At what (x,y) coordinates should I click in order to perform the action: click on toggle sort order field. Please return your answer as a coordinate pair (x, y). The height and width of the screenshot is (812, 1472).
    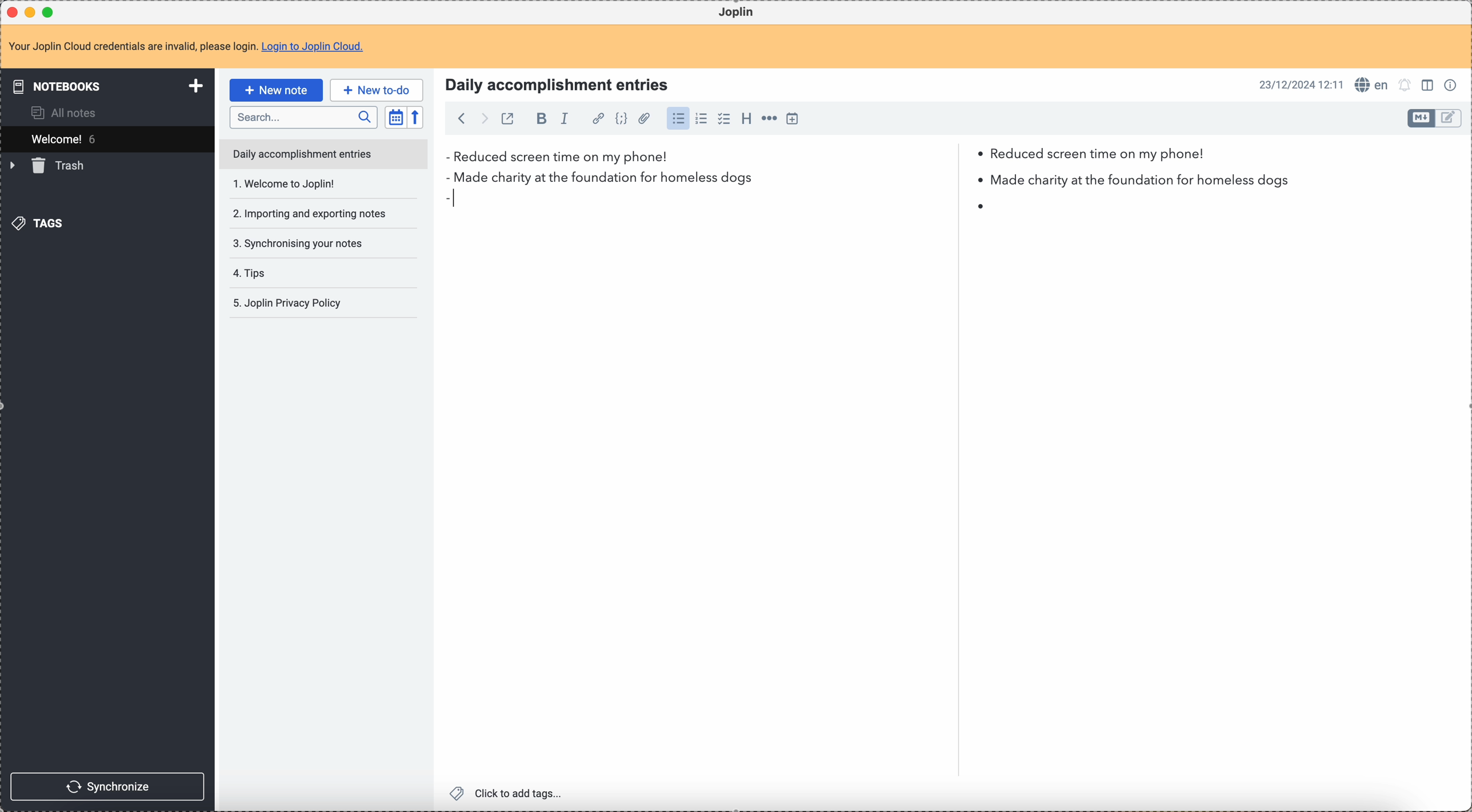
    Looking at the image, I should click on (395, 117).